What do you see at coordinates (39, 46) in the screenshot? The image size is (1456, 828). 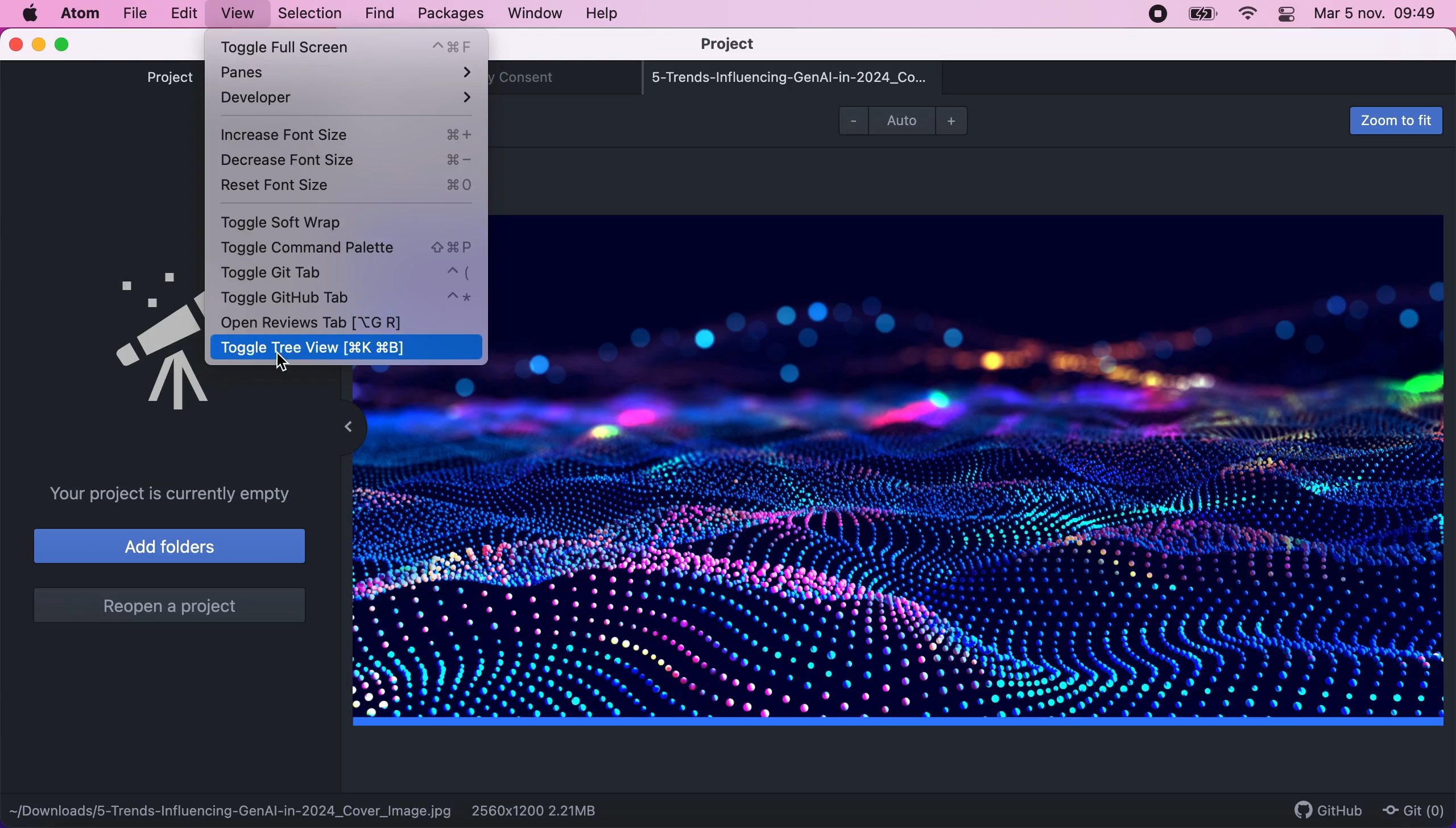 I see `minimize` at bounding box center [39, 46].